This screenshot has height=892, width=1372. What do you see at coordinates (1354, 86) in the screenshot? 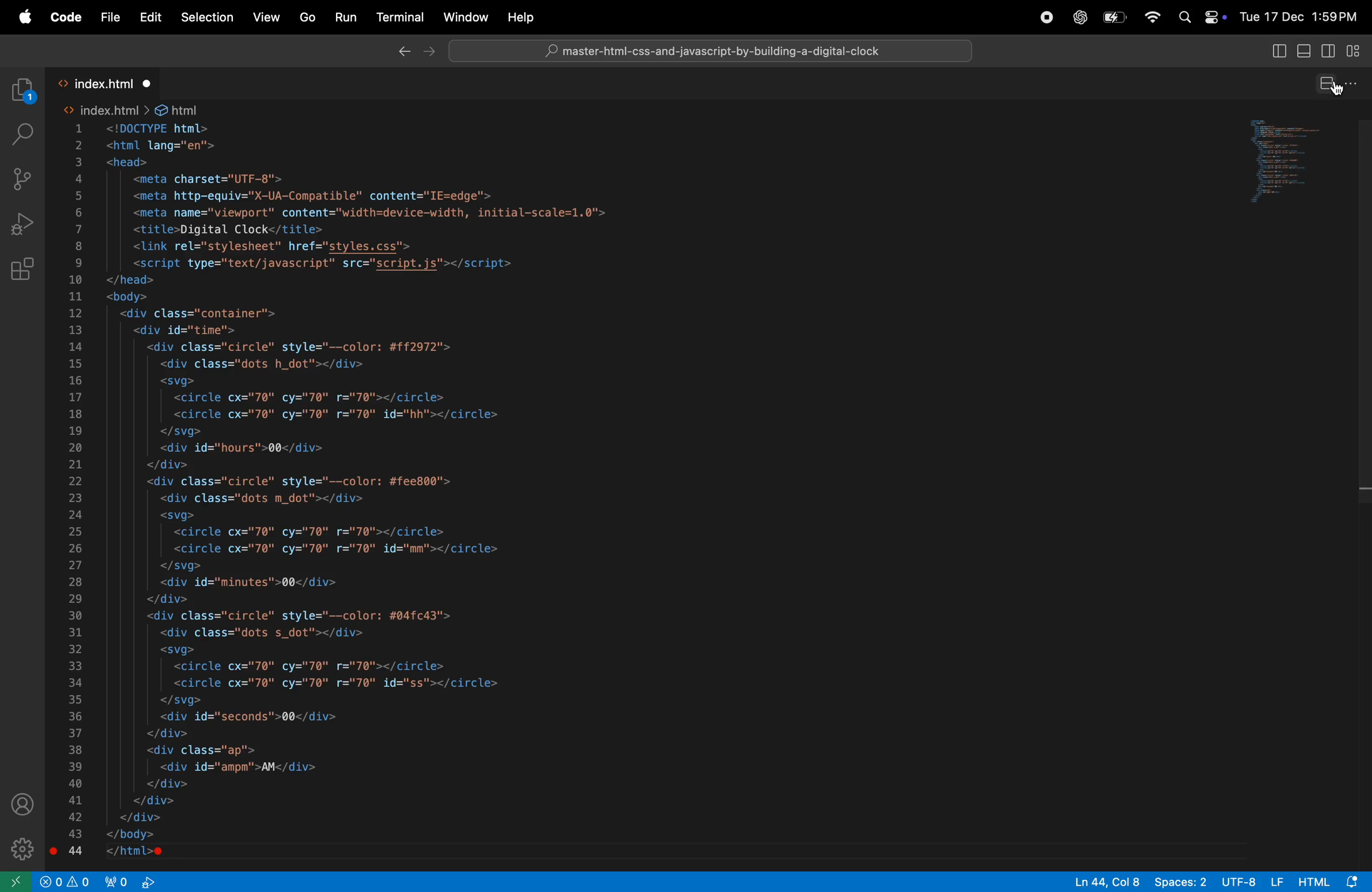
I see `options` at bounding box center [1354, 86].